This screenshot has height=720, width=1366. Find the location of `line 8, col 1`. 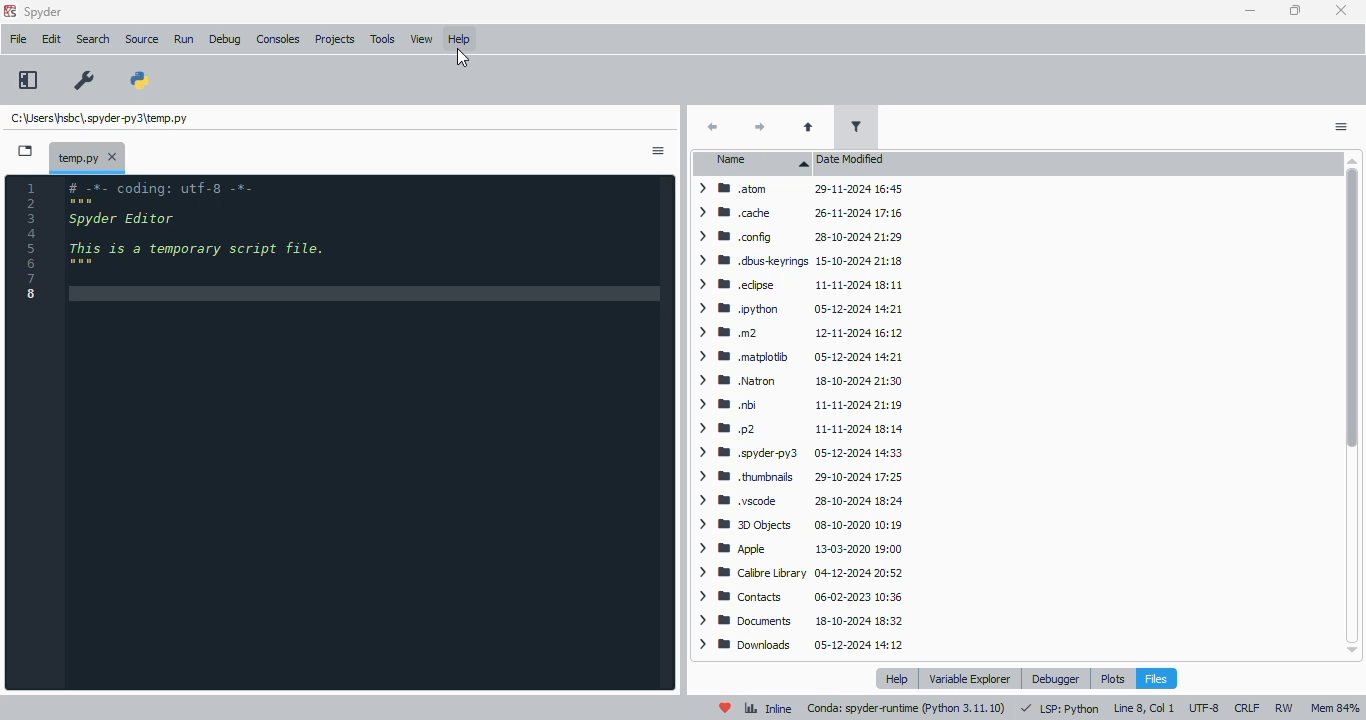

line 8, col 1 is located at coordinates (1144, 707).